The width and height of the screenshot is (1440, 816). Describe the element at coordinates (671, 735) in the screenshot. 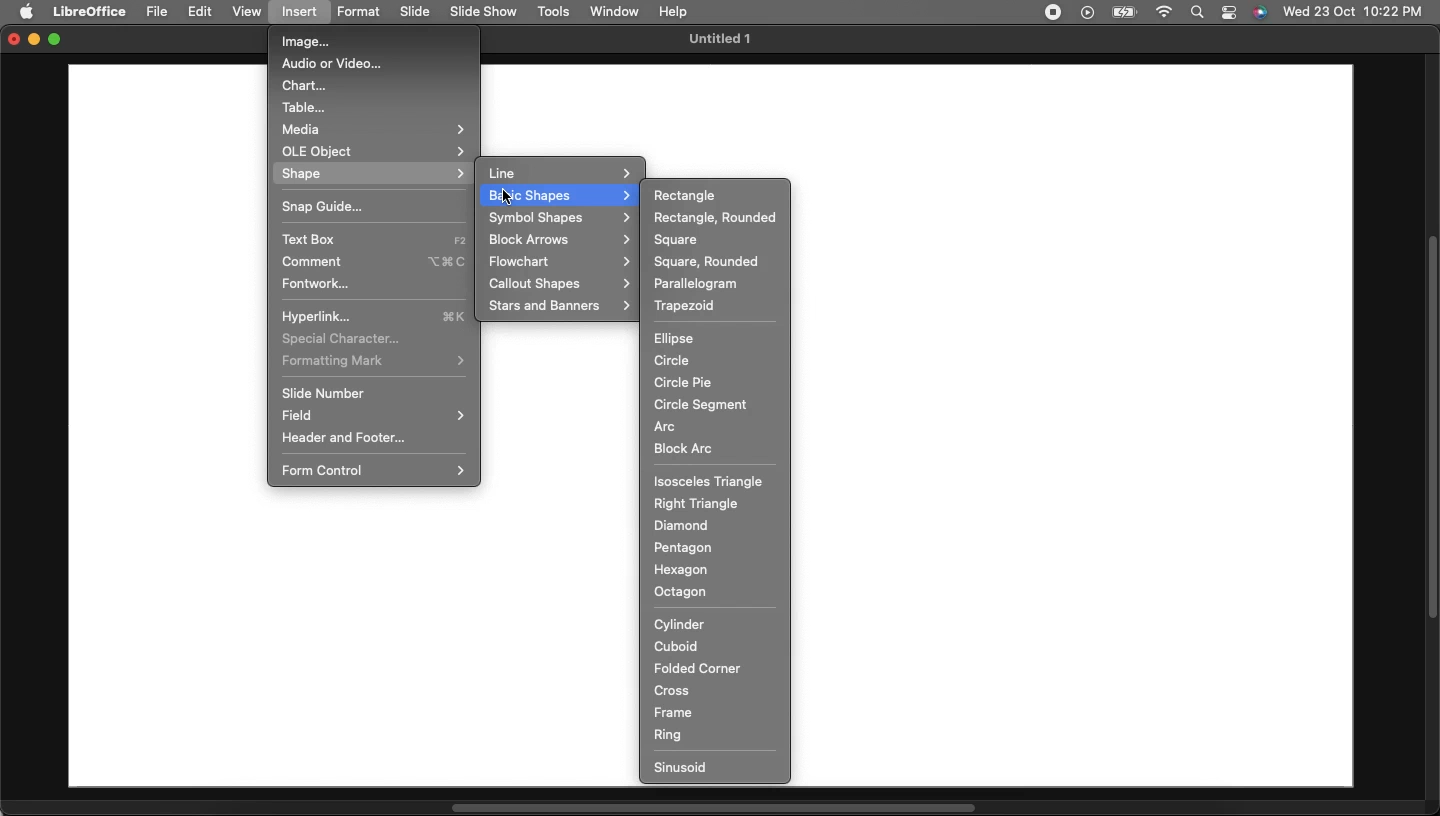

I see `Ring` at that location.